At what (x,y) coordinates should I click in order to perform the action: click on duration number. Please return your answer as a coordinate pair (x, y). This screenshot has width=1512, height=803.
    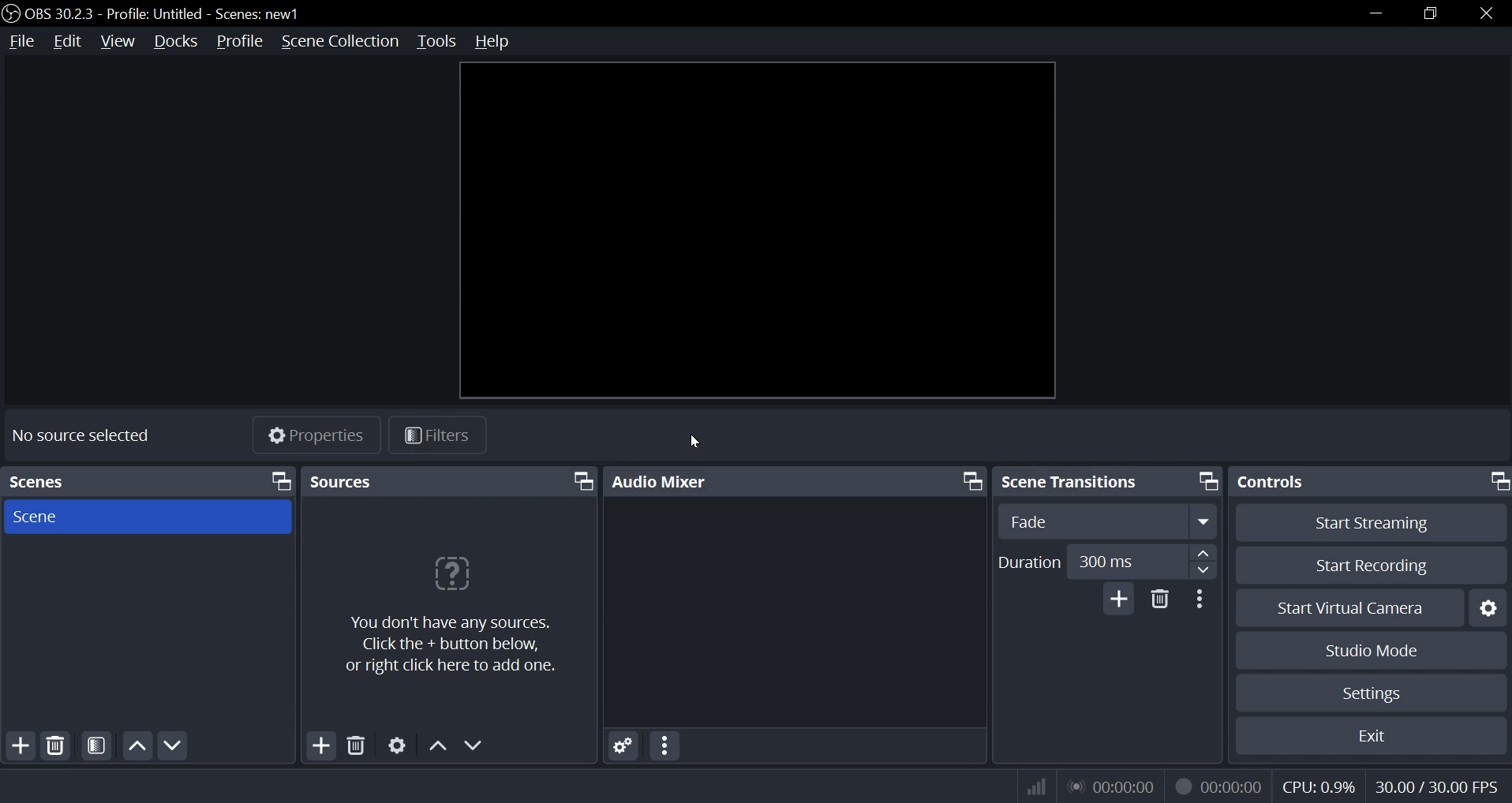
    Looking at the image, I should click on (1107, 560).